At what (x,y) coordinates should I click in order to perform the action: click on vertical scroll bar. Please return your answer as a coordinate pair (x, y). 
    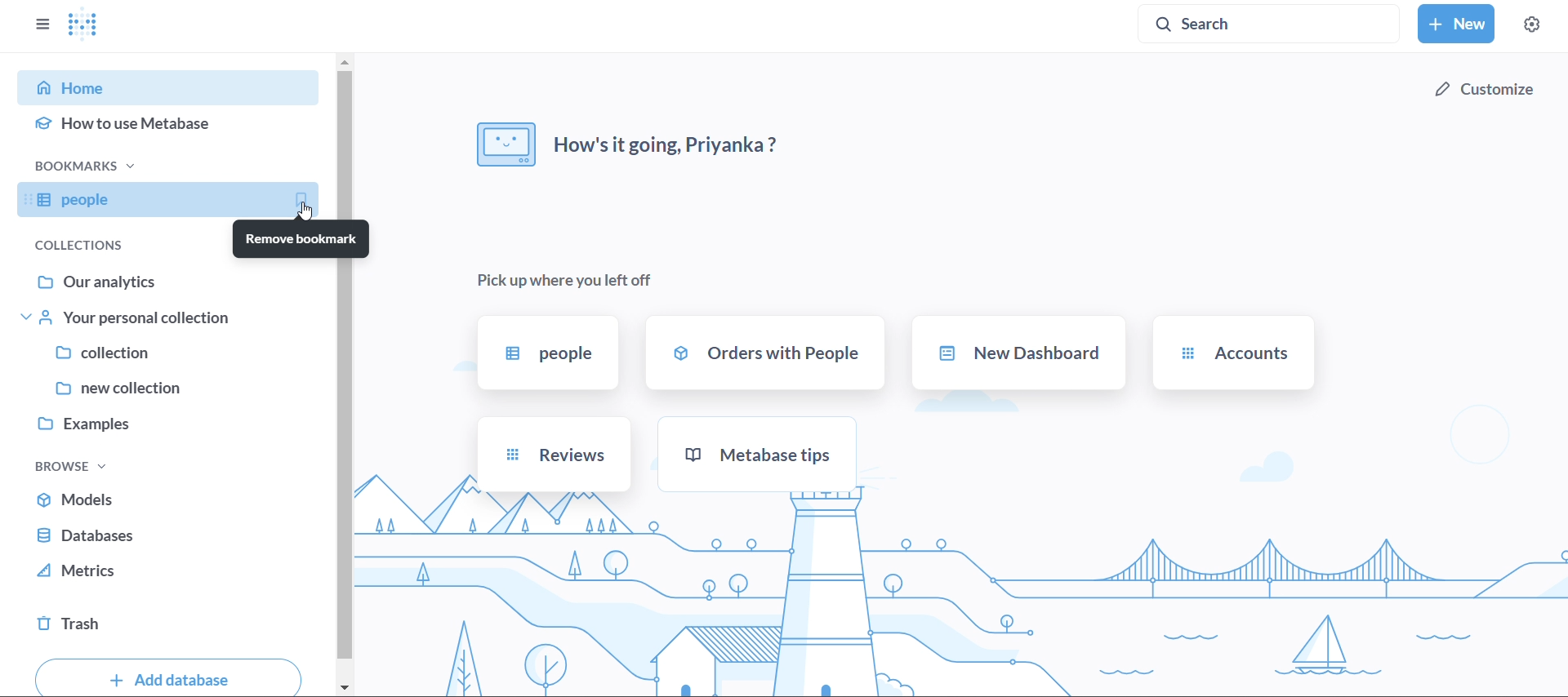
    Looking at the image, I should click on (344, 375).